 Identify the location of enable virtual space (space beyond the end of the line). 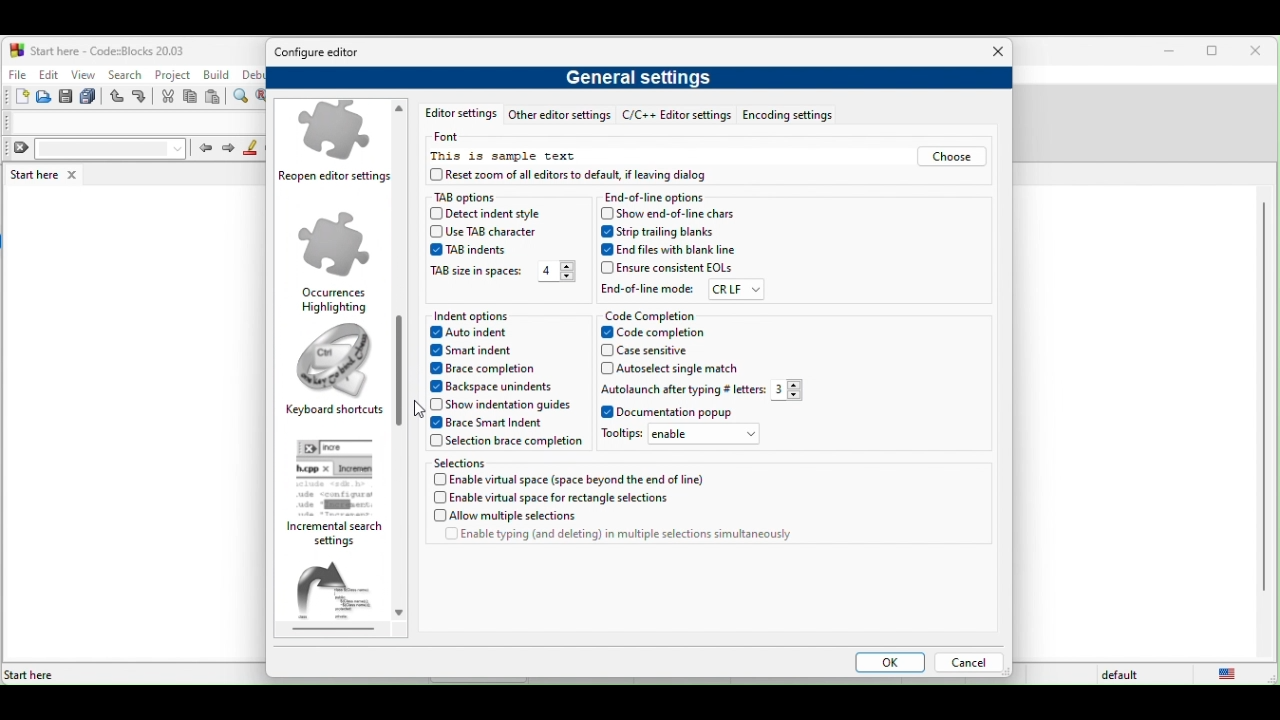
(573, 479).